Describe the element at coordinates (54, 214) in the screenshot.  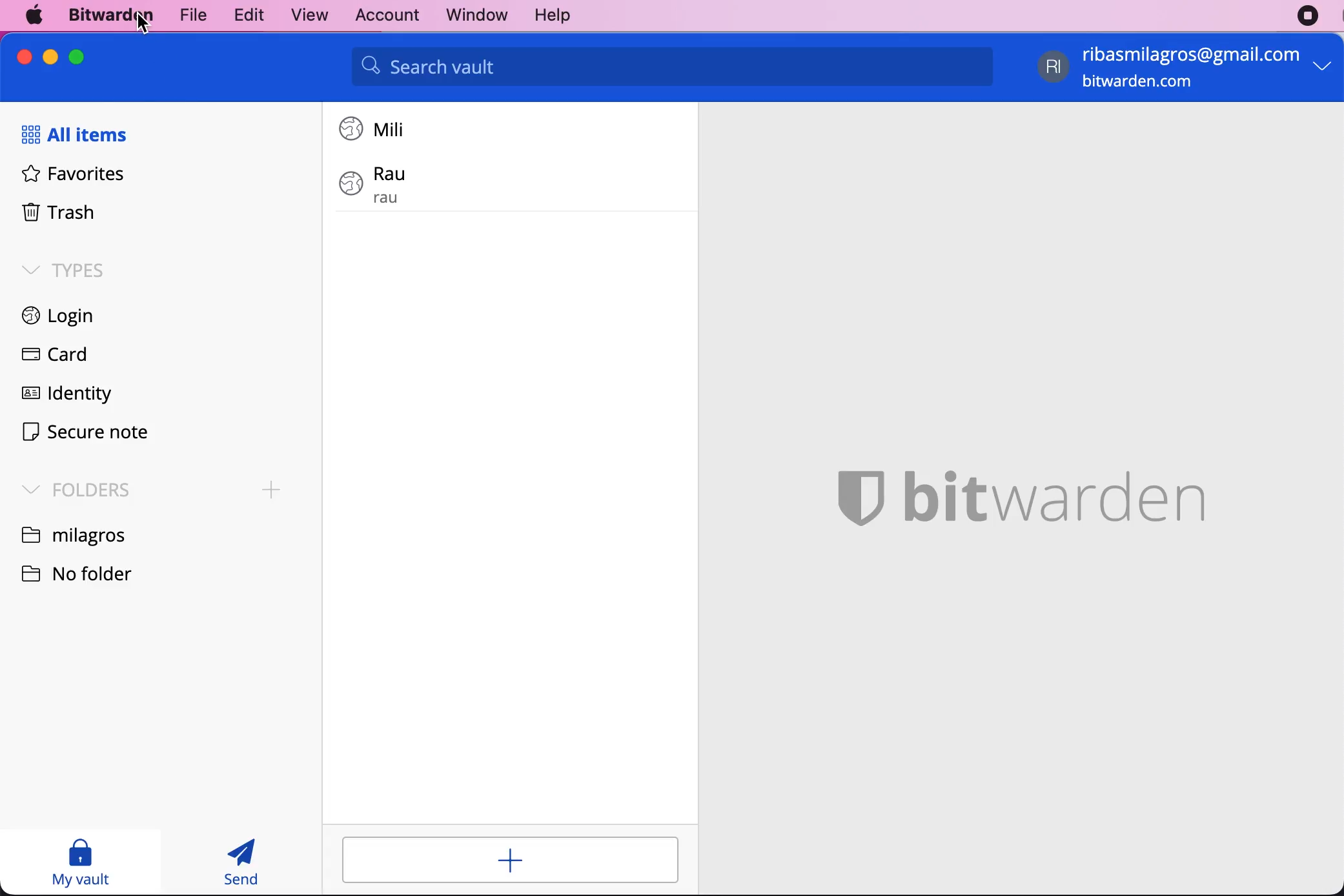
I see `trash` at that location.